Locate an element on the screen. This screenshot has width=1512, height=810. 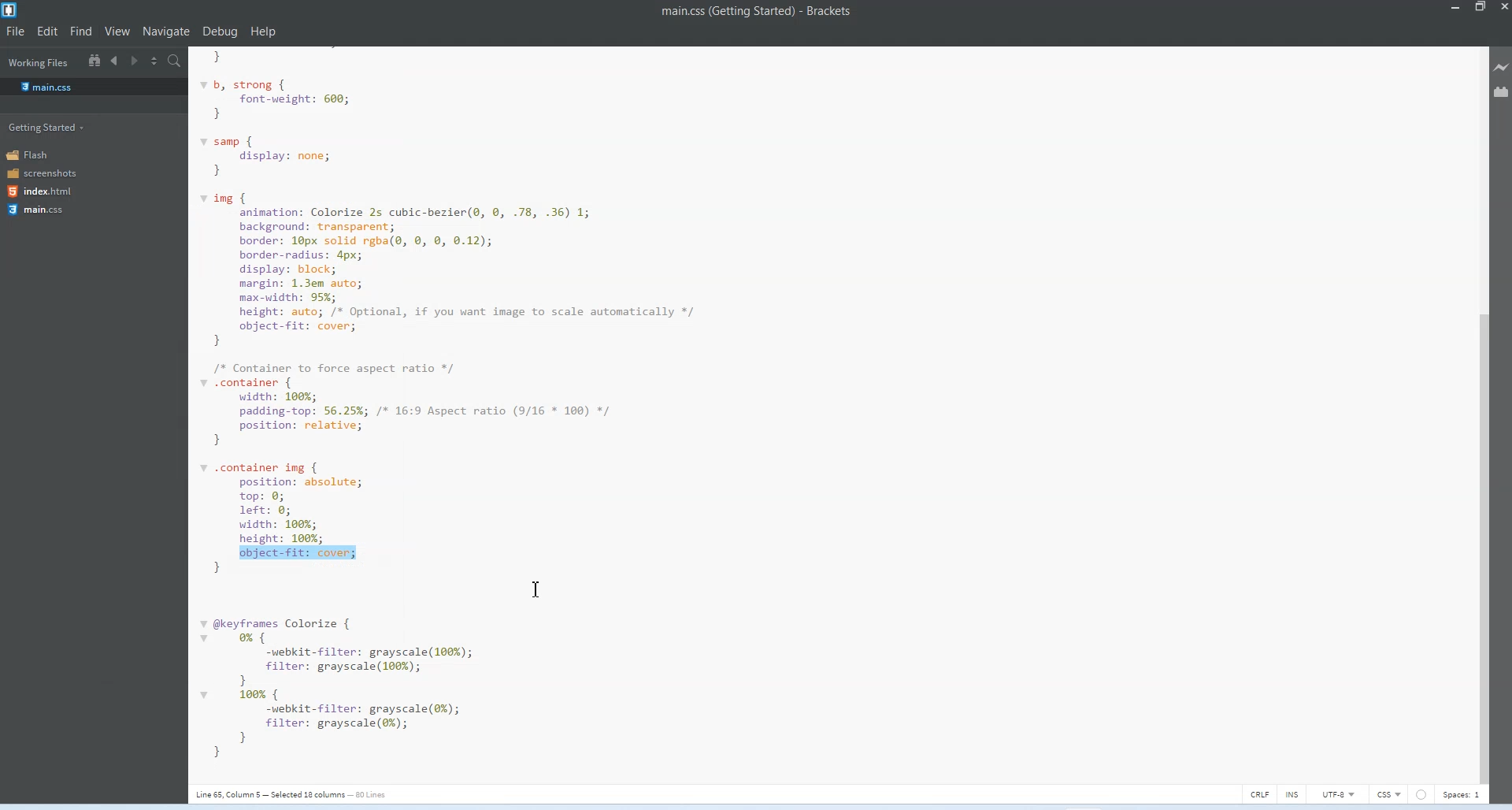
Spaces 1 is located at coordinates (1465, 793).